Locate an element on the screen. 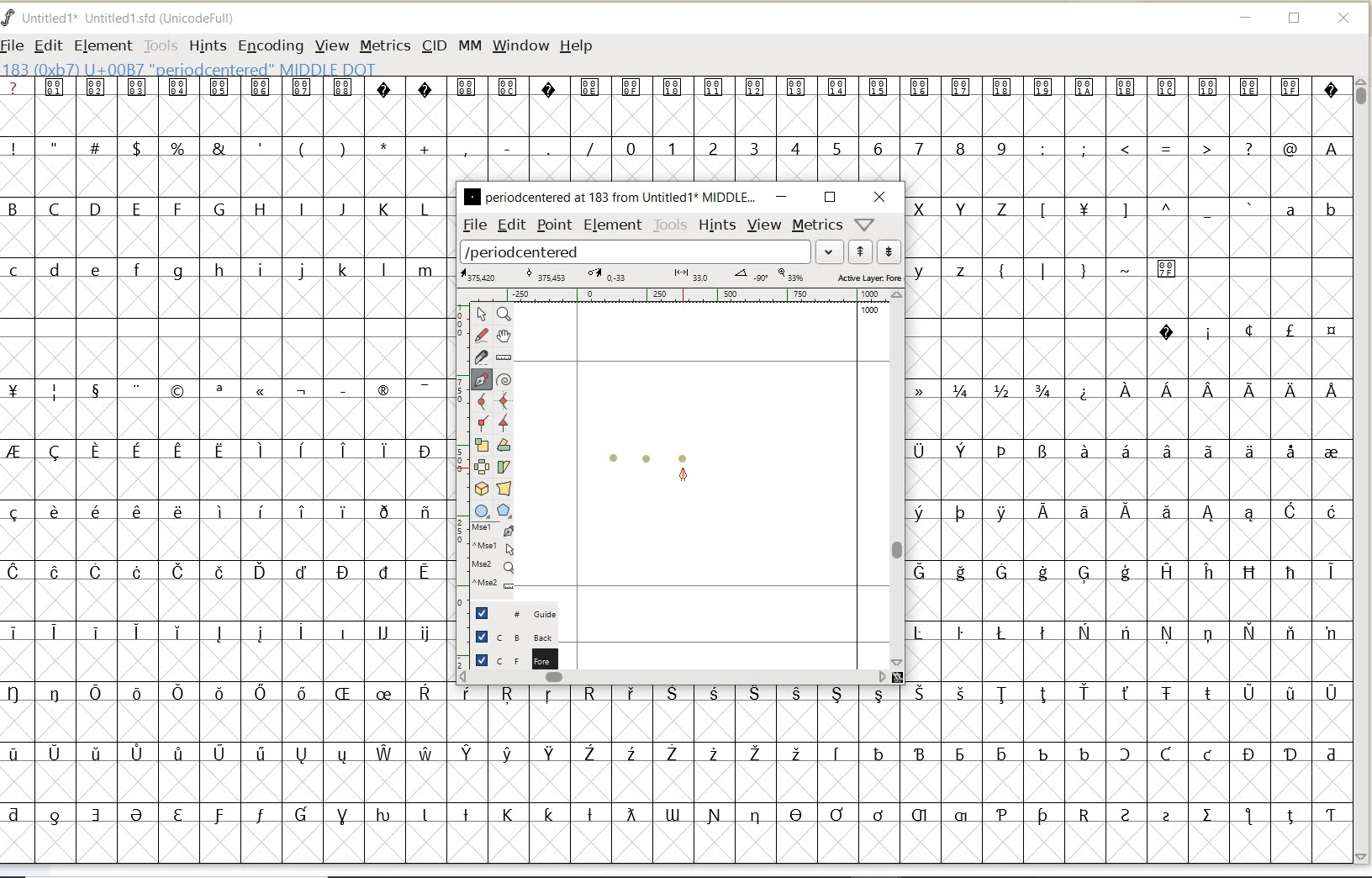 The width and height of the screenshot is (1372, 878). element is located at coordinates (610, 225).